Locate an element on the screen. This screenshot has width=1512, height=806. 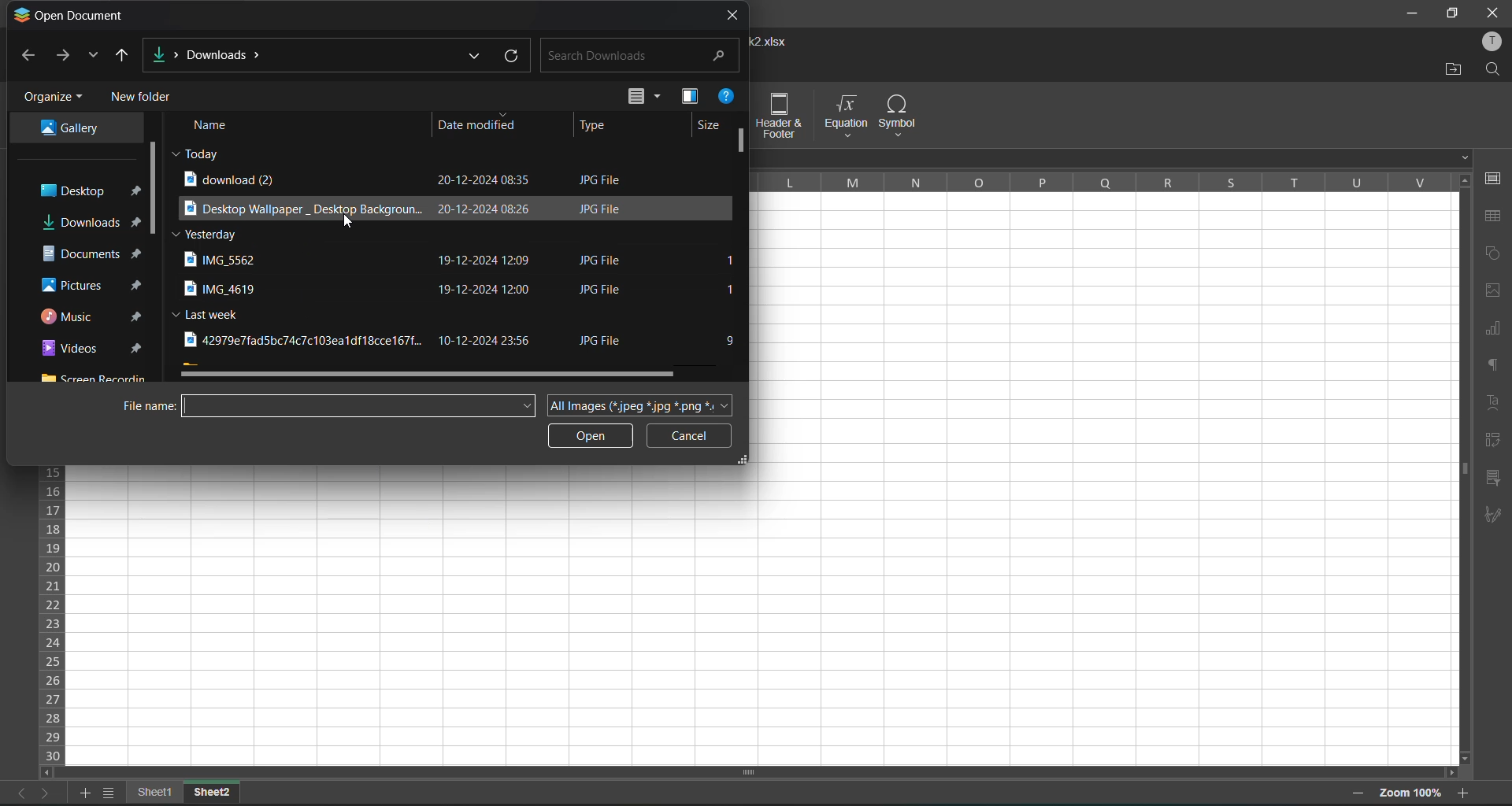
text is located at coordinates (1495, 404).